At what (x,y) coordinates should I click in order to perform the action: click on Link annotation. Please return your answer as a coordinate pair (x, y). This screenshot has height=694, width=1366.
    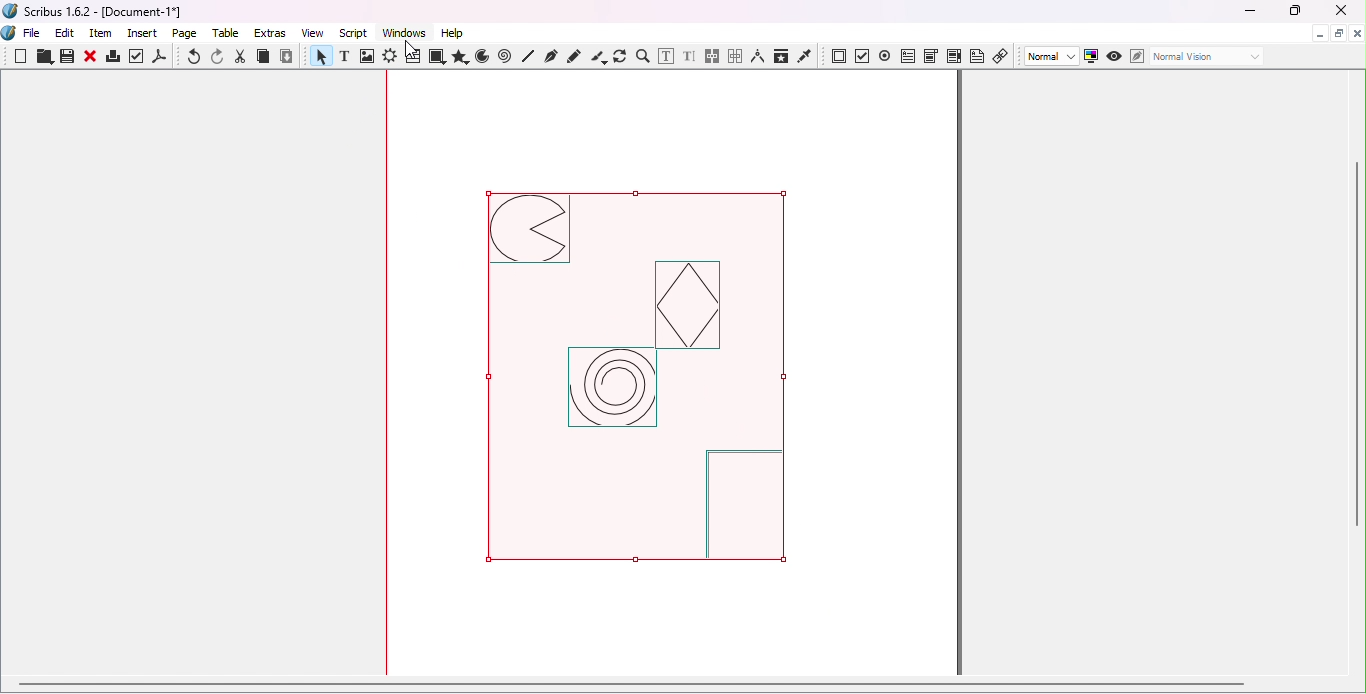
    Looking at the image, I should click on (1002, 55).